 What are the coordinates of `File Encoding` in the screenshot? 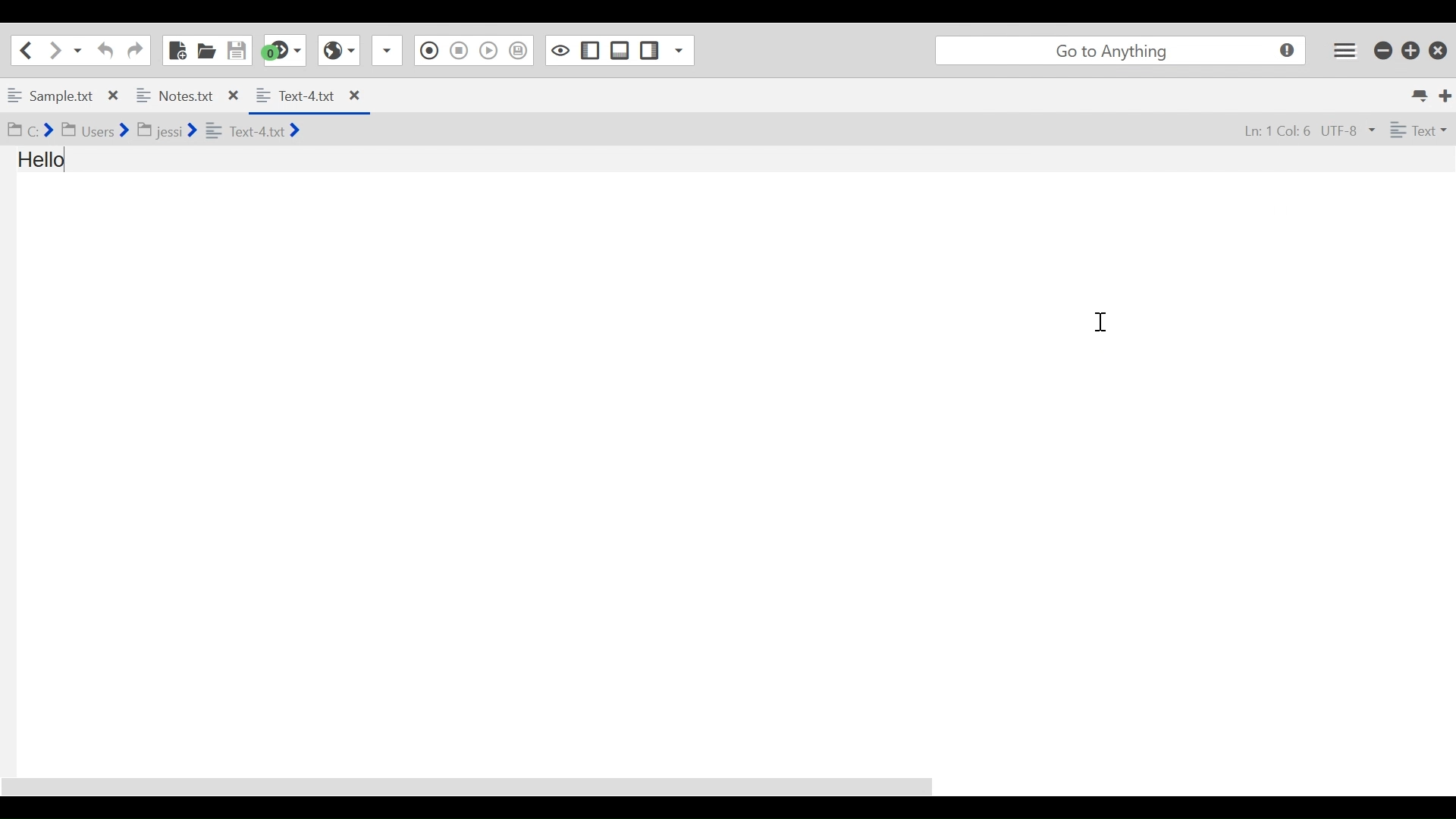 It's located at (1348, 129).